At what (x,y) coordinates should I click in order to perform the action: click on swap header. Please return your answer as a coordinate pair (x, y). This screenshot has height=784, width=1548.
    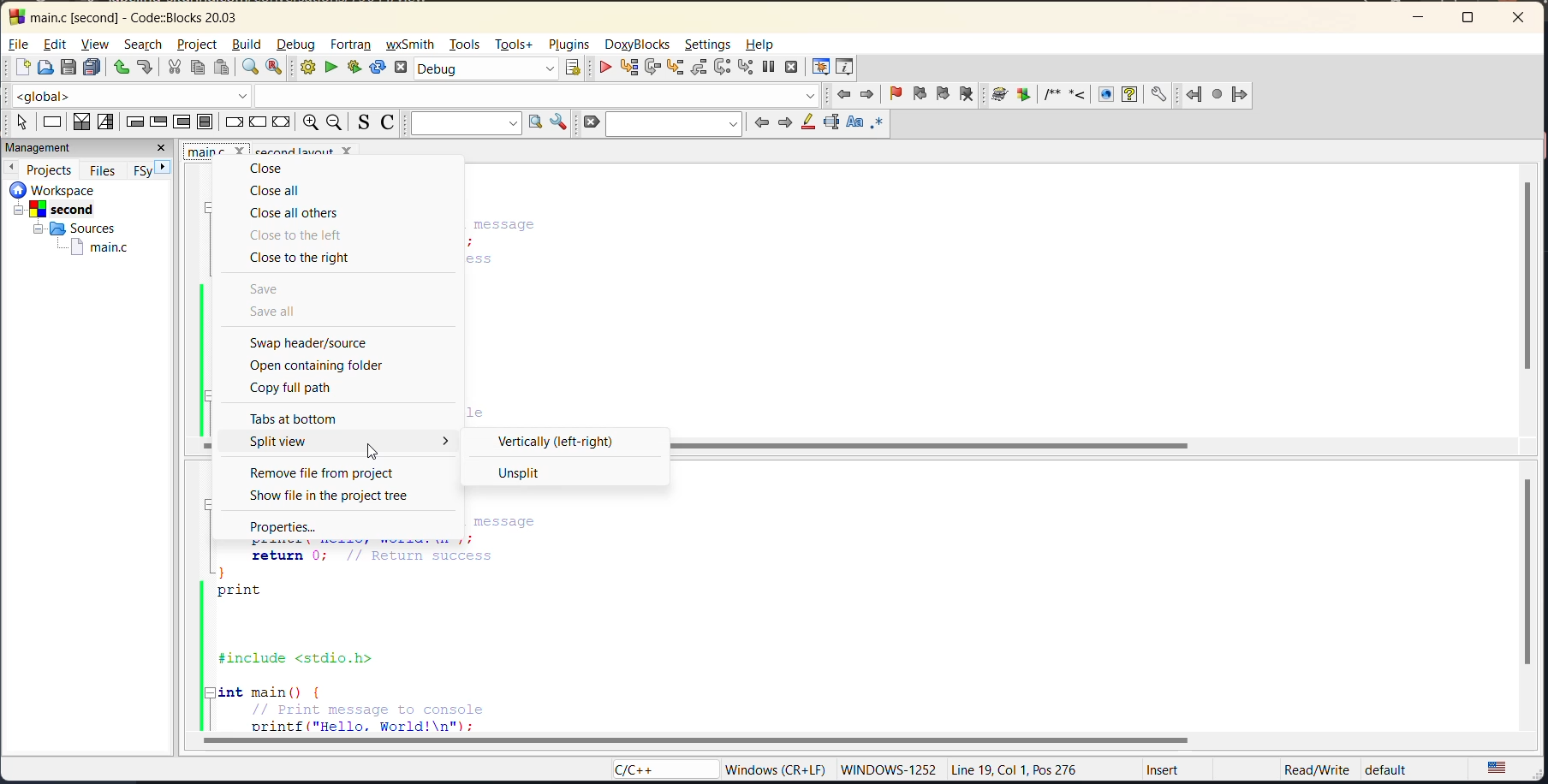
    Looking at the image, I should click on (318, 343).